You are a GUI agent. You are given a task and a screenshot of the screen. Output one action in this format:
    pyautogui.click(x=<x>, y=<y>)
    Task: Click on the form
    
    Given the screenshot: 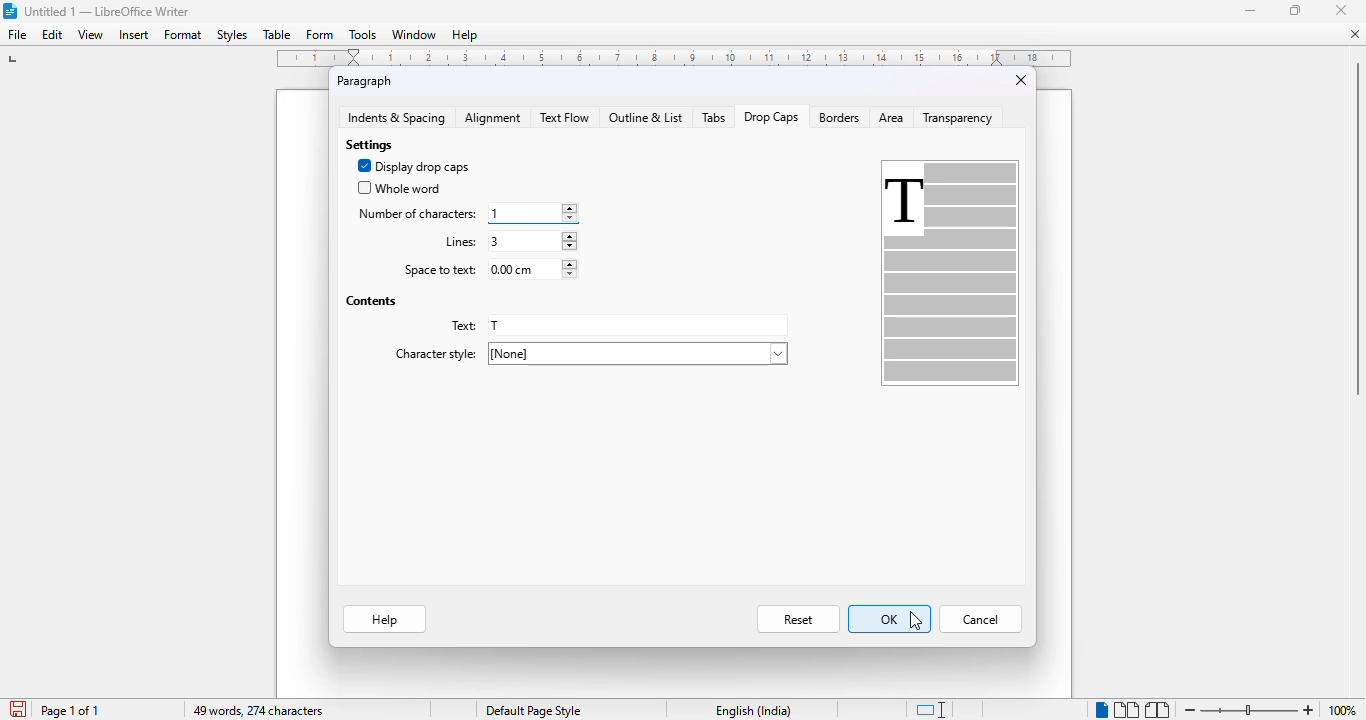 What is the action you would take?
    pyautogui.click(x=319, y=33)
    